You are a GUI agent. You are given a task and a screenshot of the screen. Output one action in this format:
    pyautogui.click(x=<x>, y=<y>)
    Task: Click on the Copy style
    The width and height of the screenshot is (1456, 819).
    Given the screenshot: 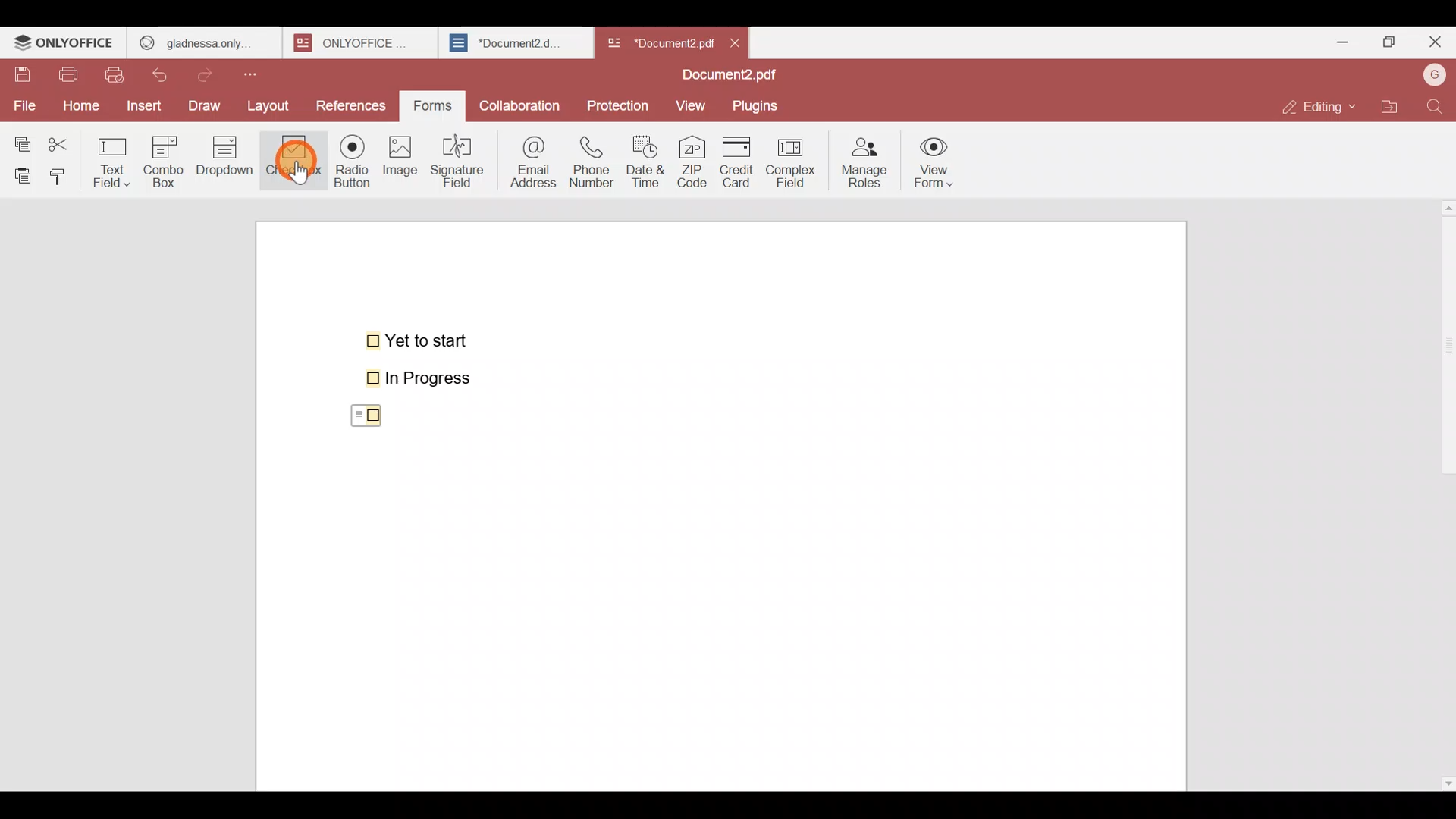 What is the action you would take?
    pyautogui.click(x=64, y=173)
    